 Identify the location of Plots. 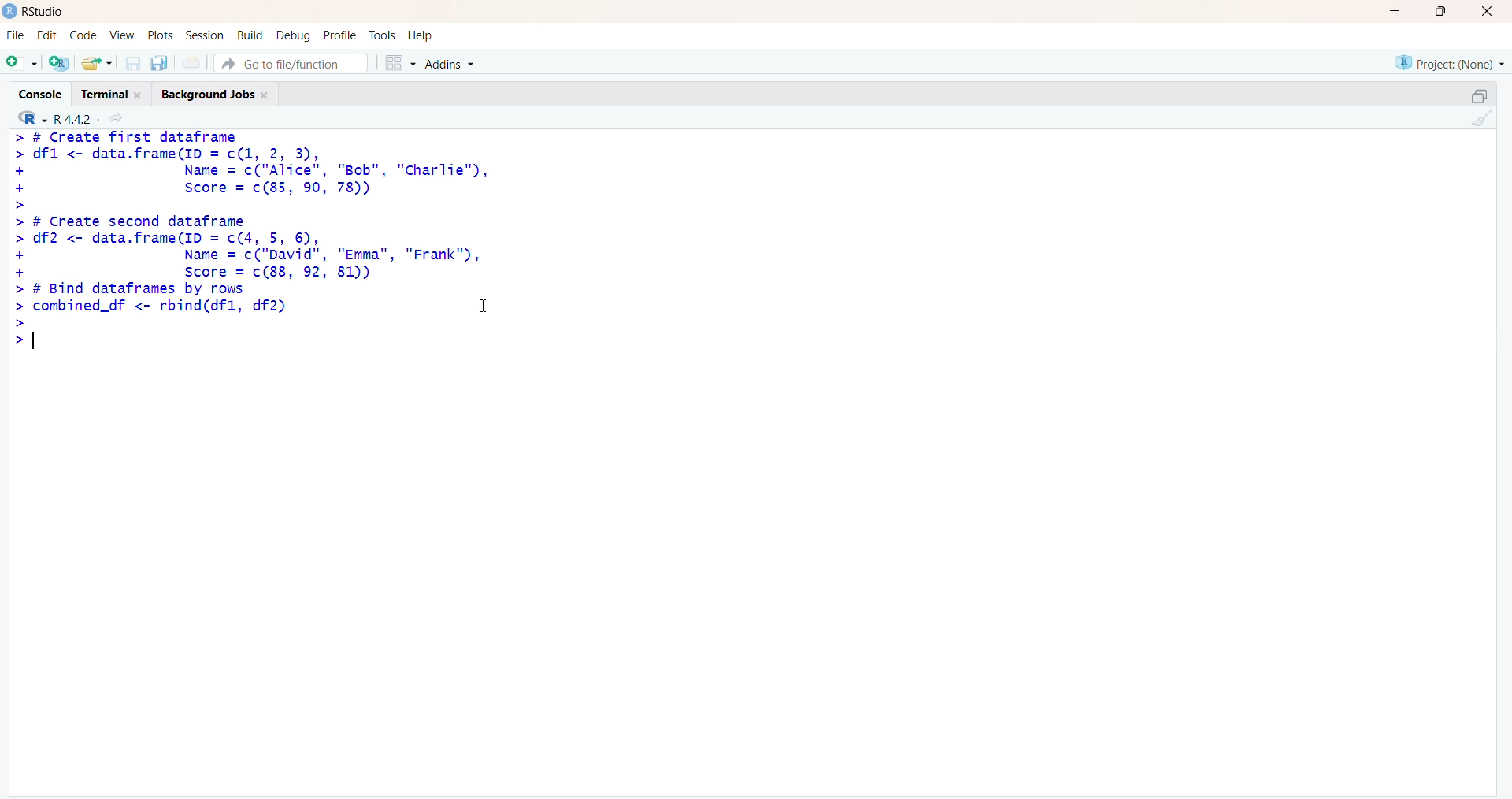
(159, 35).